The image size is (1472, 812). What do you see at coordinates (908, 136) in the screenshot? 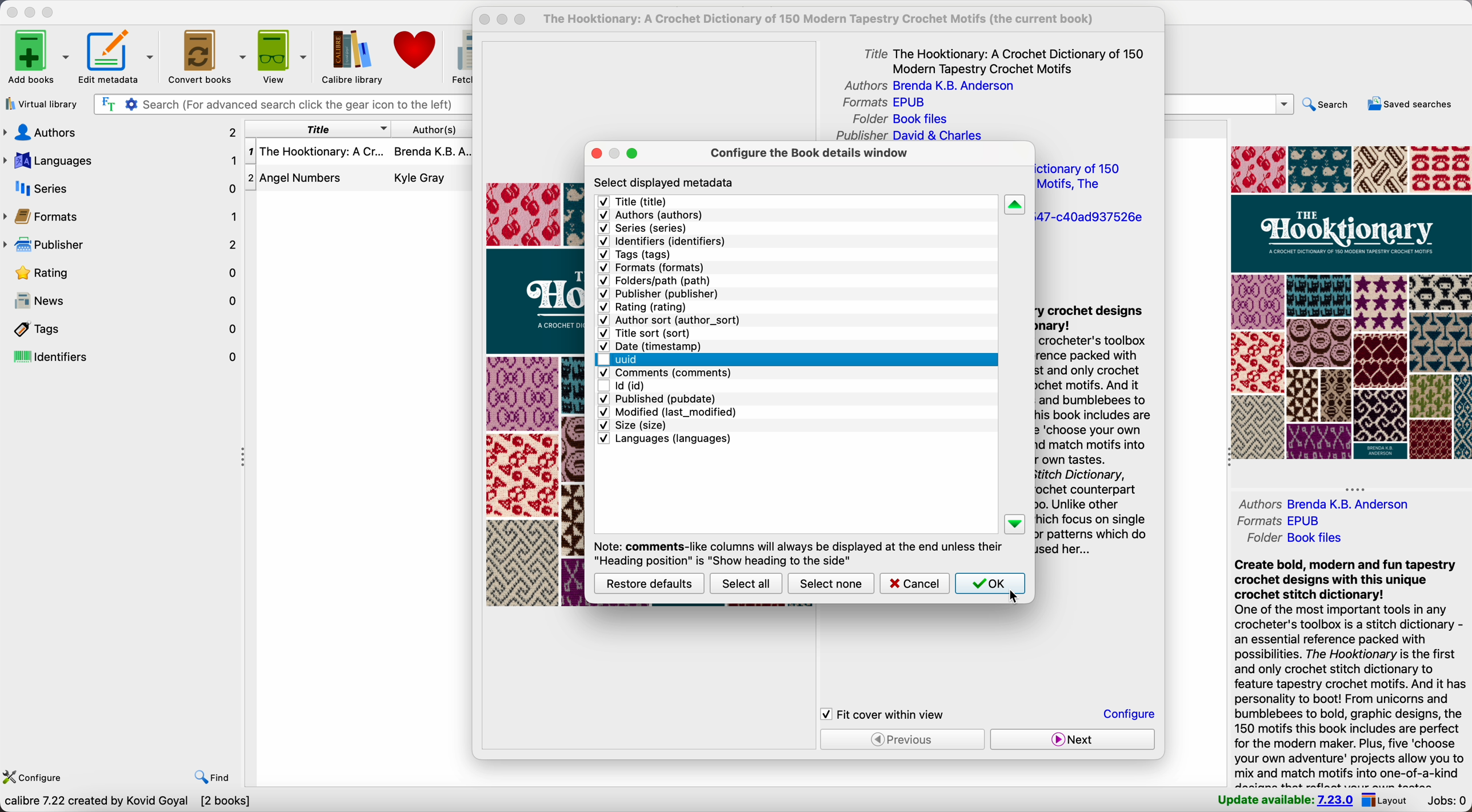
I see `publisher` at bounding box center [908, 136].